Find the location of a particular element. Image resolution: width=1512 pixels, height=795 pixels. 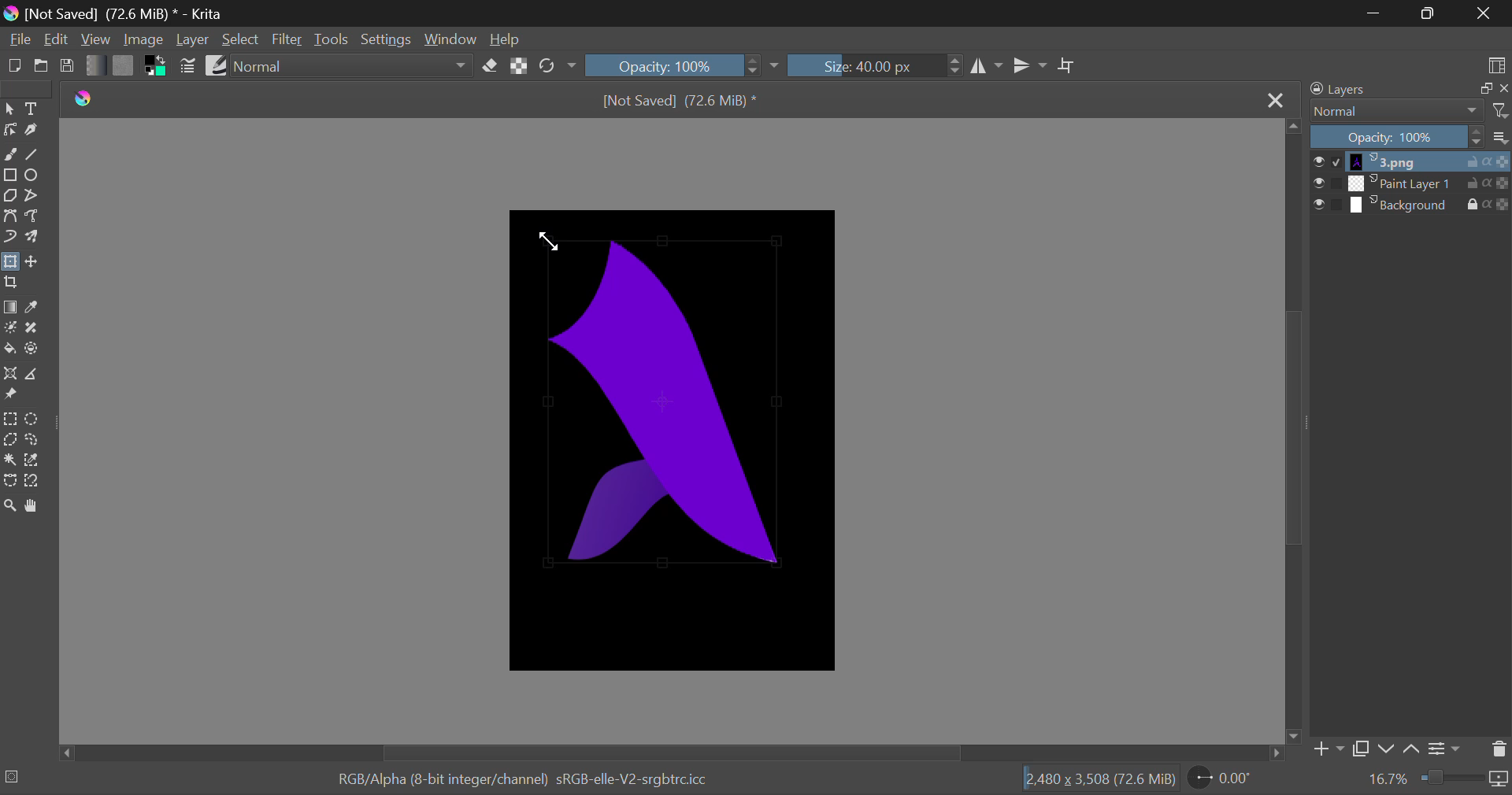

icon is located at coordinates (1499, 778).